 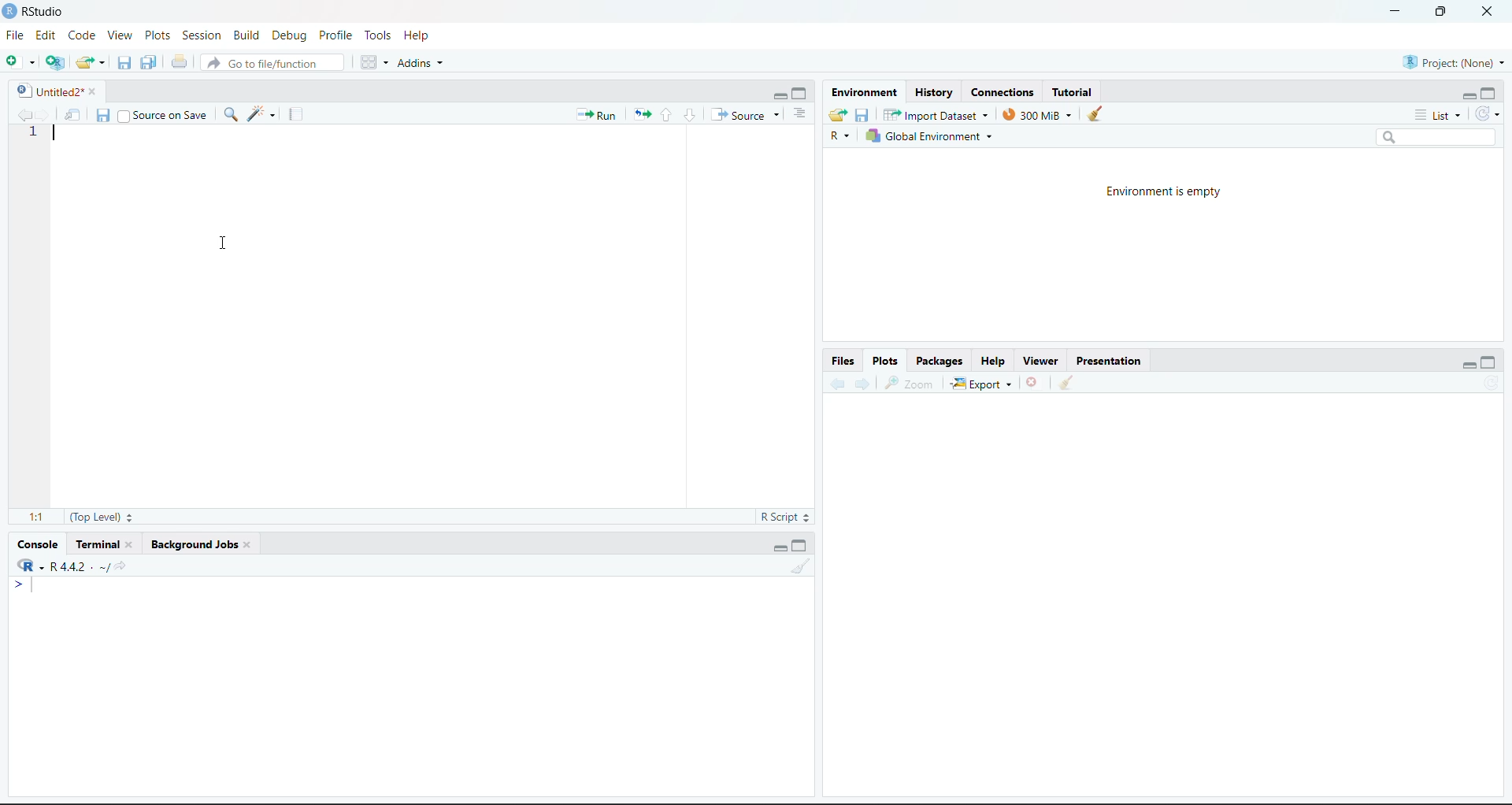 What do you see at coordinates (802, 95) in the screenshot?
I see `hide console` at bounding box center [802, 95].